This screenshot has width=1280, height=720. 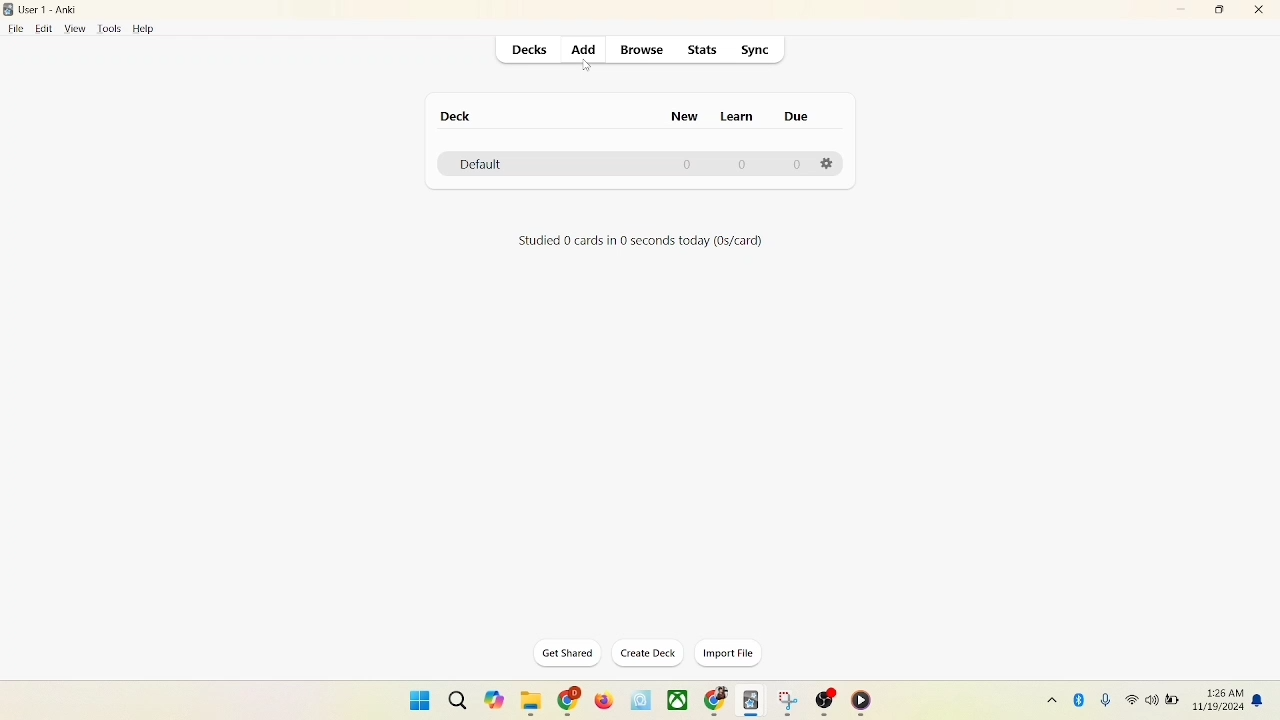 I want to click on , so click(x=743, y=168).